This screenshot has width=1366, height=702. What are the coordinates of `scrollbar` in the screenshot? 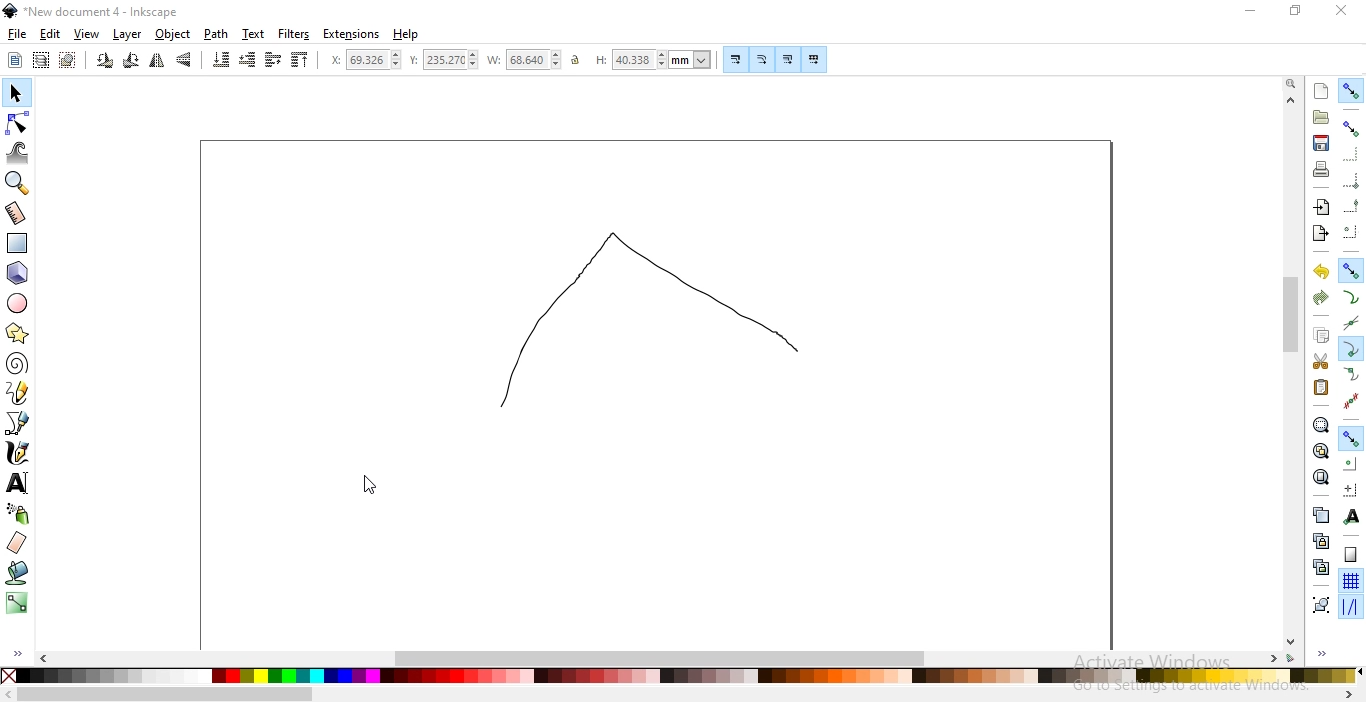 It's located at (166, 696).